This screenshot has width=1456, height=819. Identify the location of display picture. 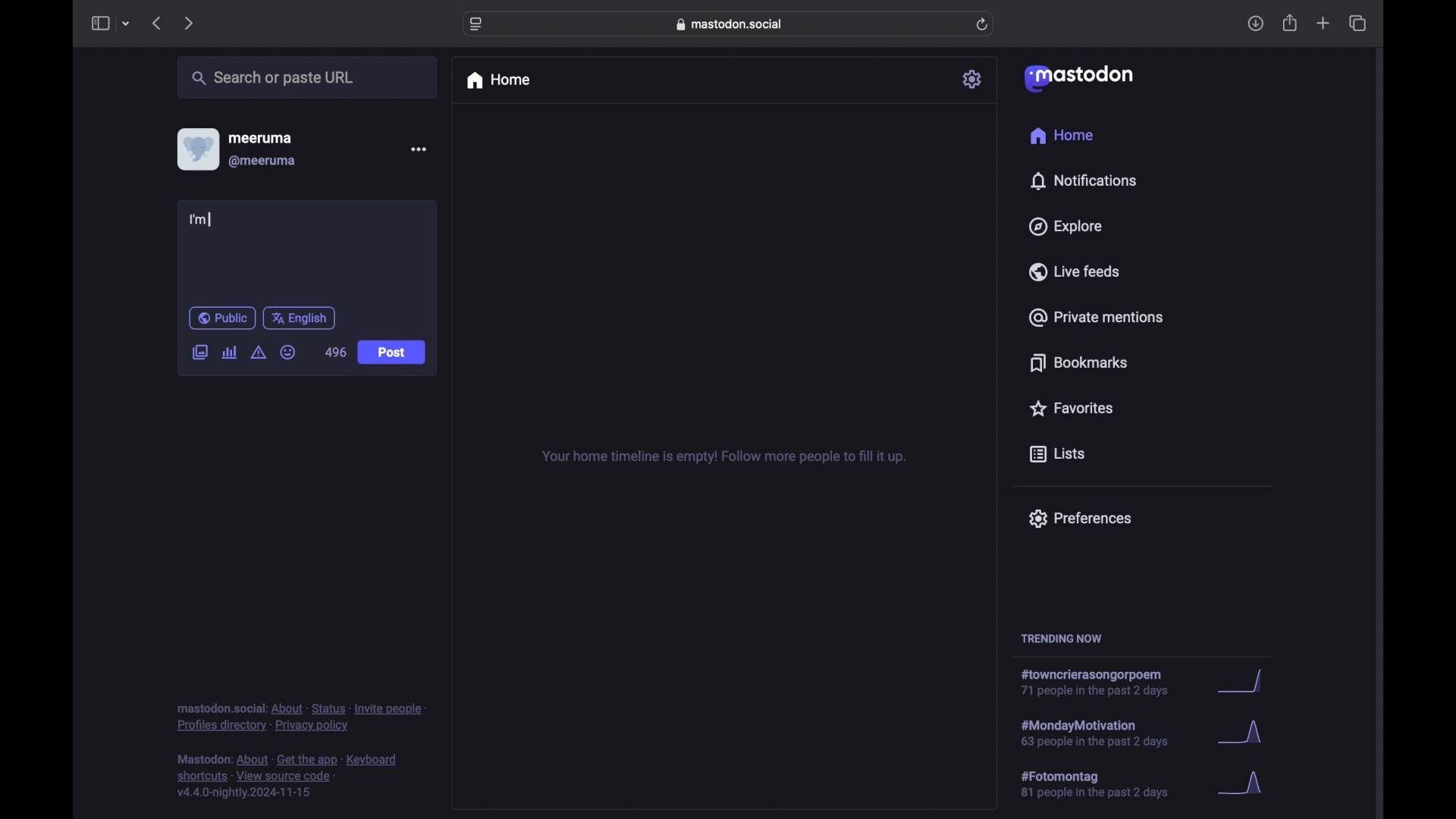
(196, 149).